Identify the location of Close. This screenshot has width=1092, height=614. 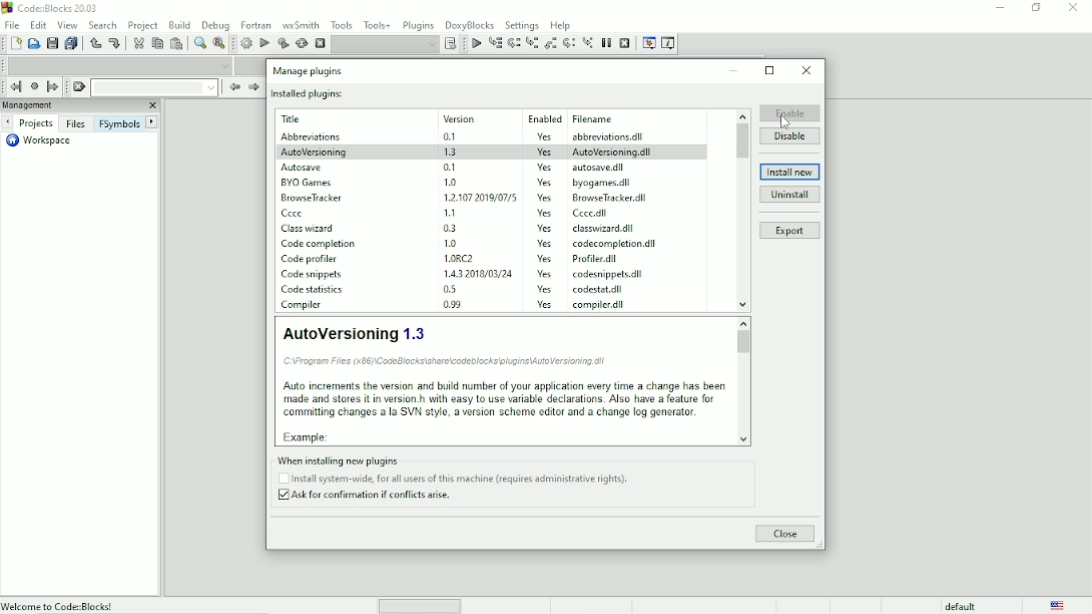
(786, 534).